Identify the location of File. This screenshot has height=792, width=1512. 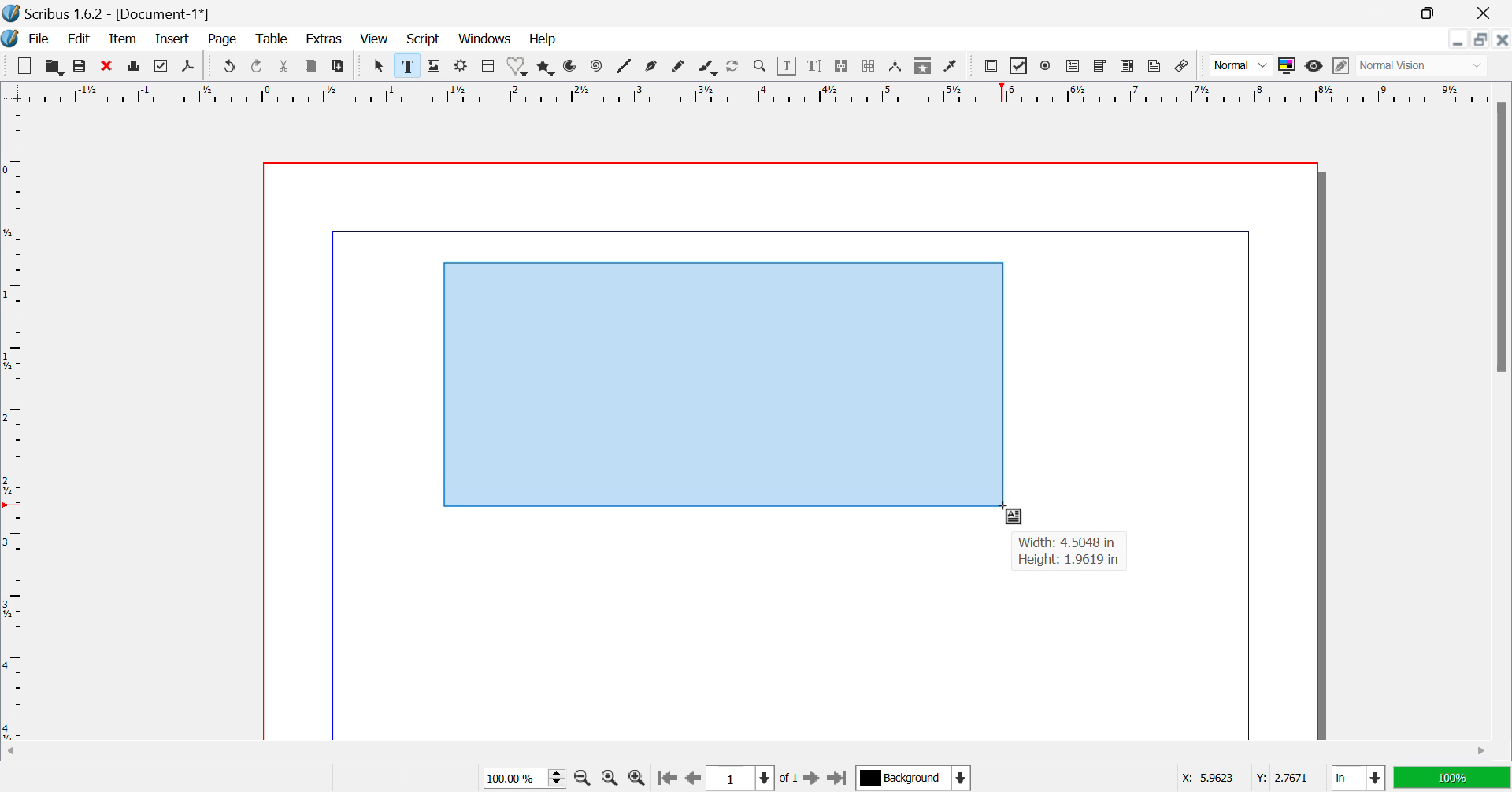
(39, 39).